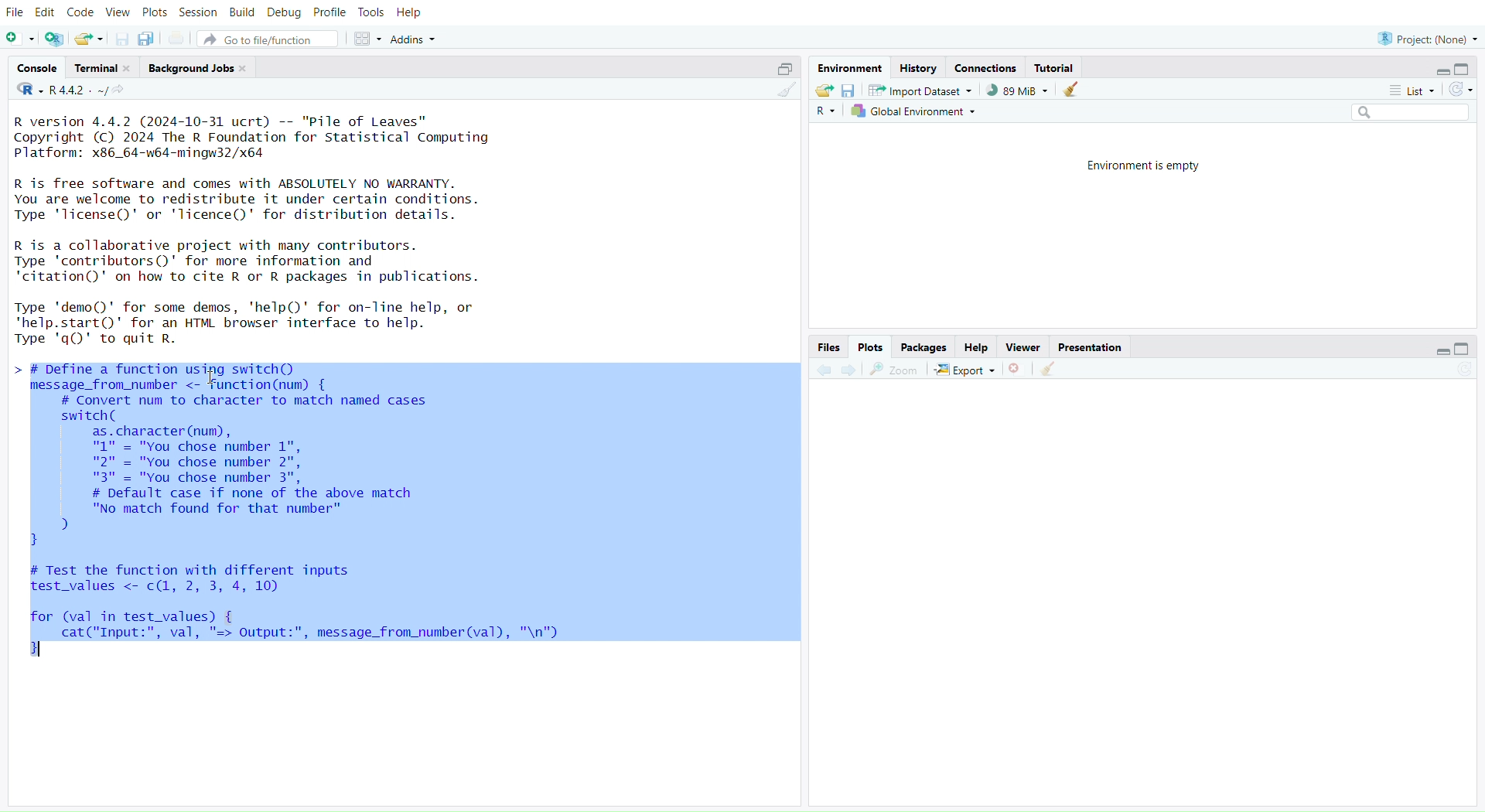 This screenshot has width=1485, height=812. Describe the element at coordinates (117, 12) in the screenshot. I see `View` at that location.